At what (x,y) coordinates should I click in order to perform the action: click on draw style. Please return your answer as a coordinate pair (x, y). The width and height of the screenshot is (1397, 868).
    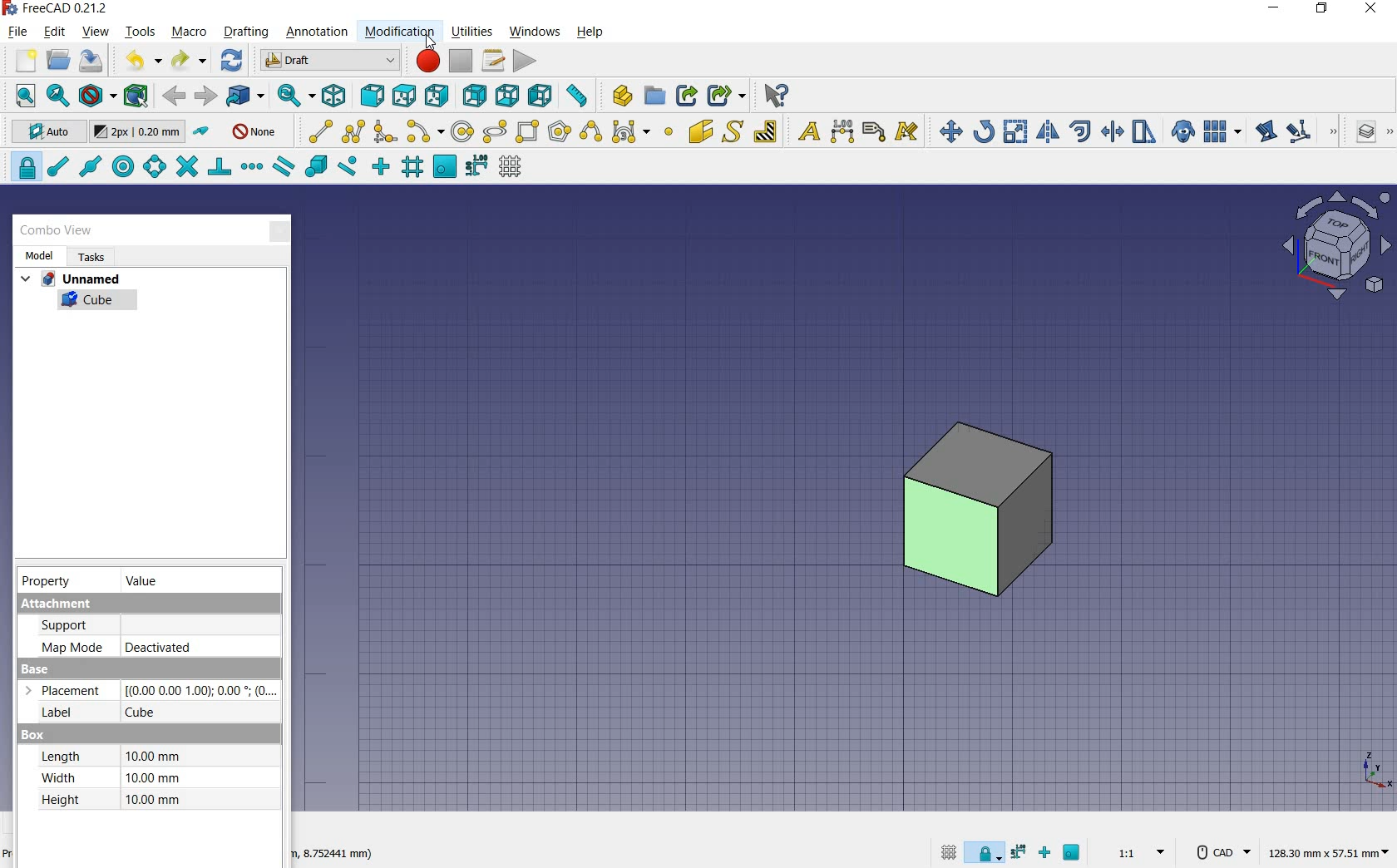
    Looking at the image, I should click on (95, 95).